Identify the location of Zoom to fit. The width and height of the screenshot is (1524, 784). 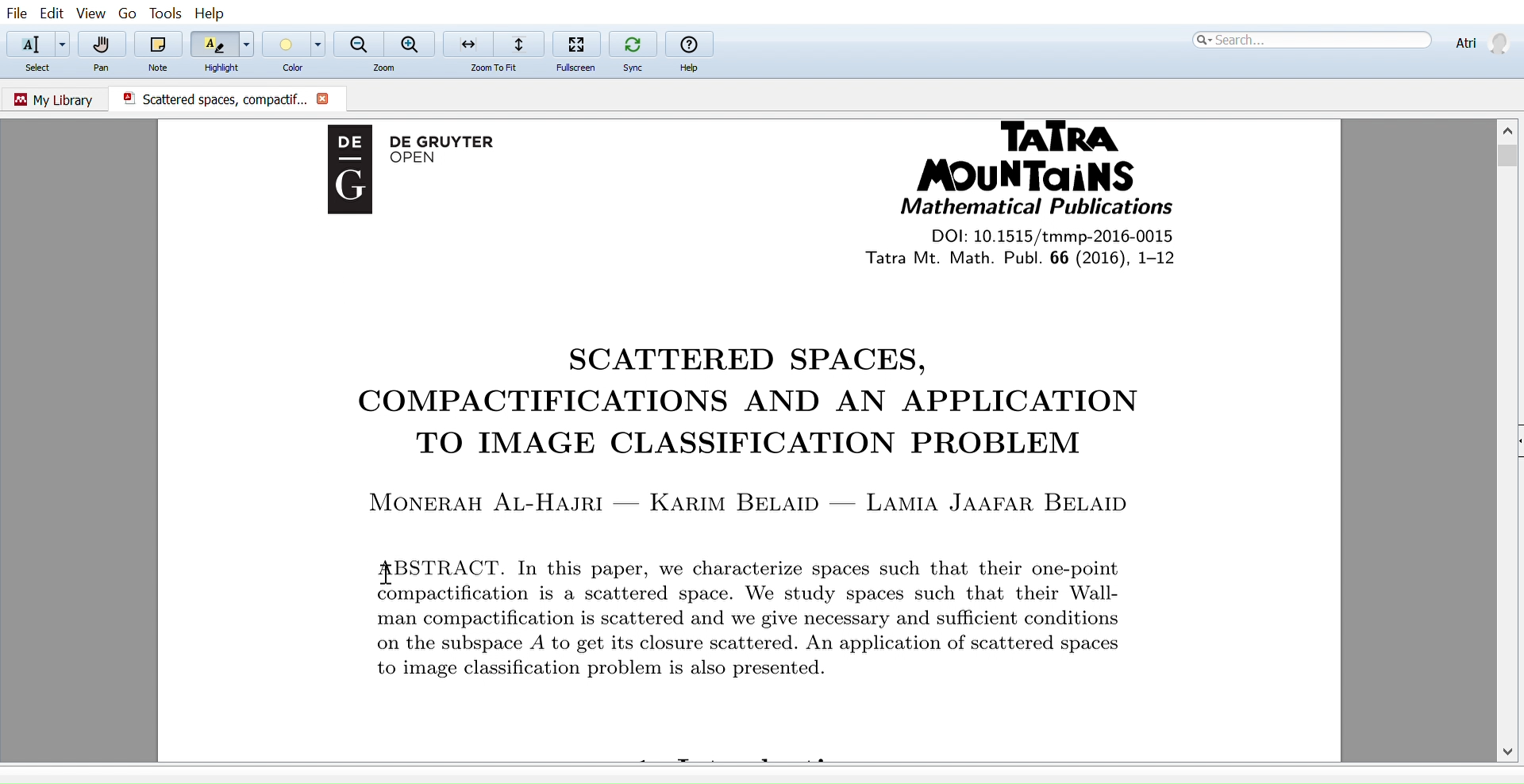
(492, 43).